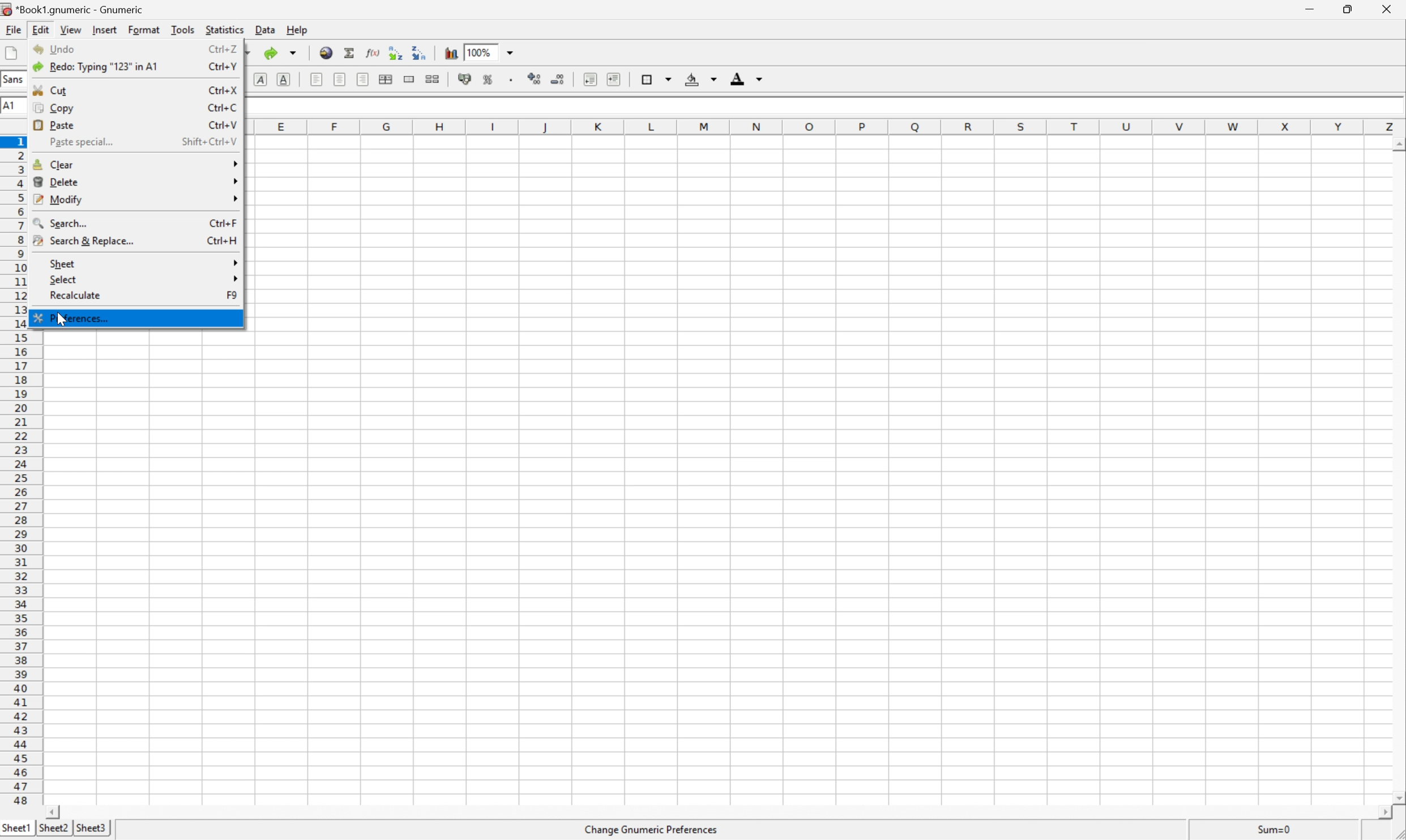  What do you see at coordinates (1397, 798) in the screenshot?
I see `scroll down` at bounding box center [1397, 798].